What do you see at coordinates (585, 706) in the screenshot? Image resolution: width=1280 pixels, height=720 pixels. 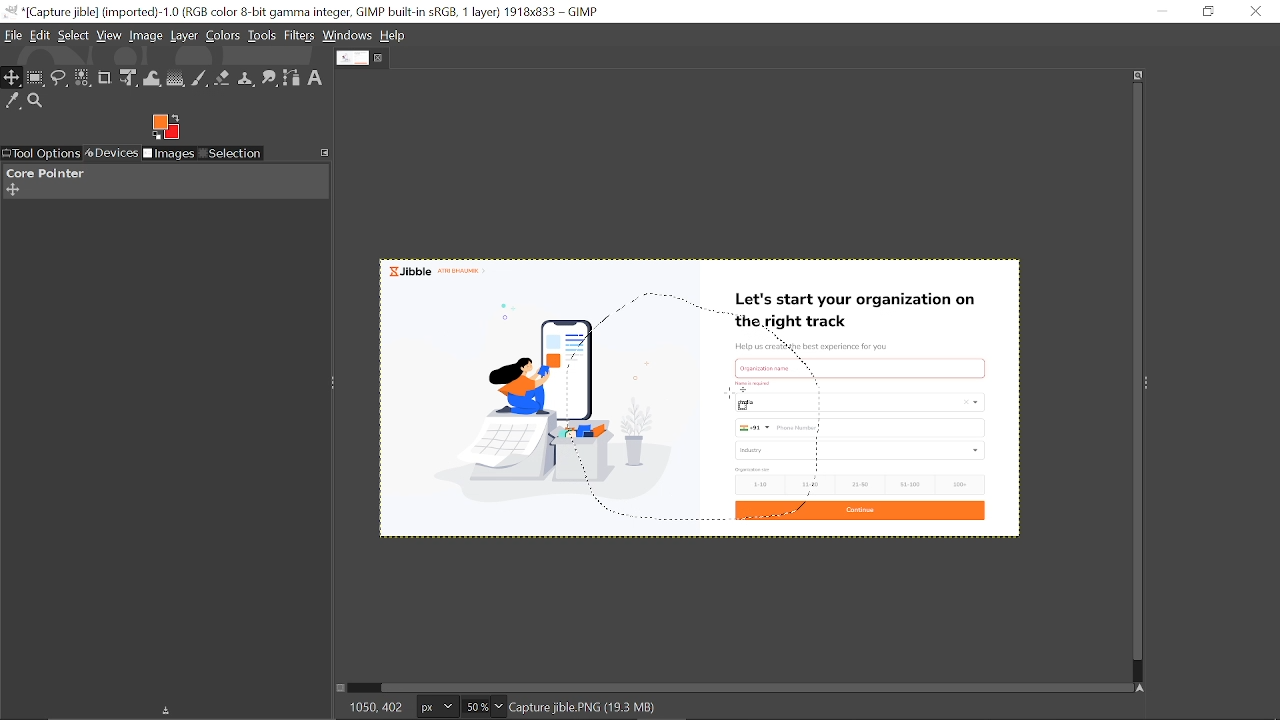 I see `Capture jble.PNG(18.6 MB` at bounding box center [585, 706].